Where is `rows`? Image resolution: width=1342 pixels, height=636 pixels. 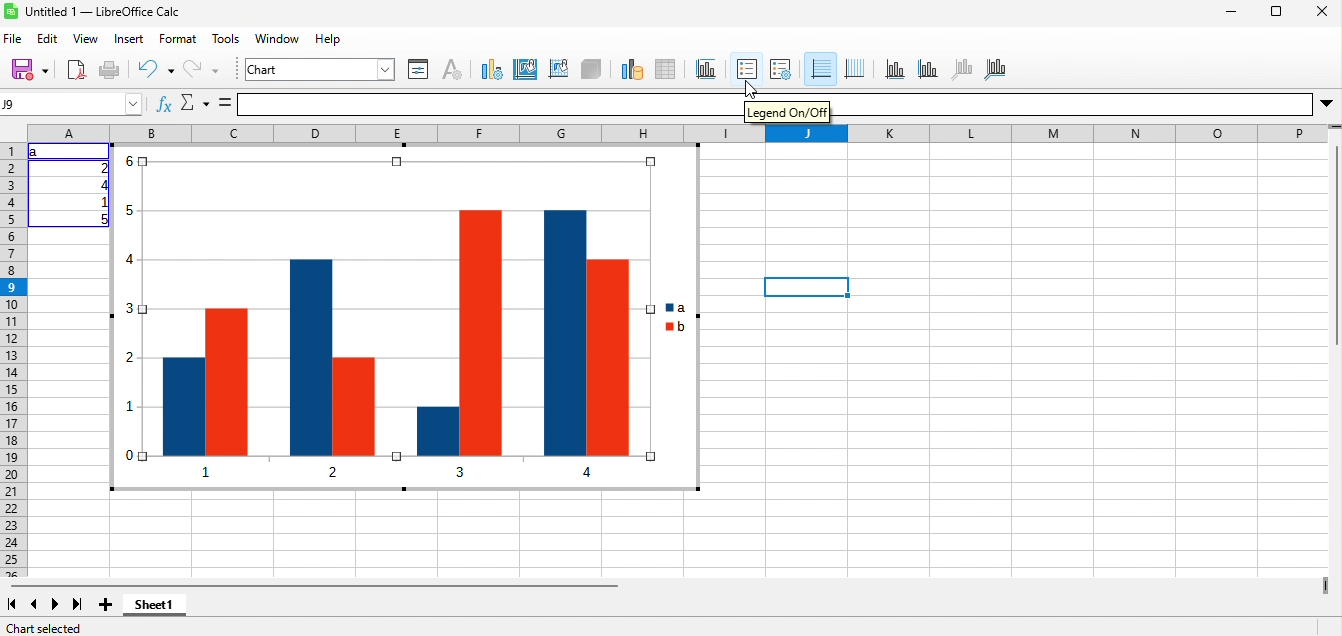
rows is located at coordinates (13, 360).